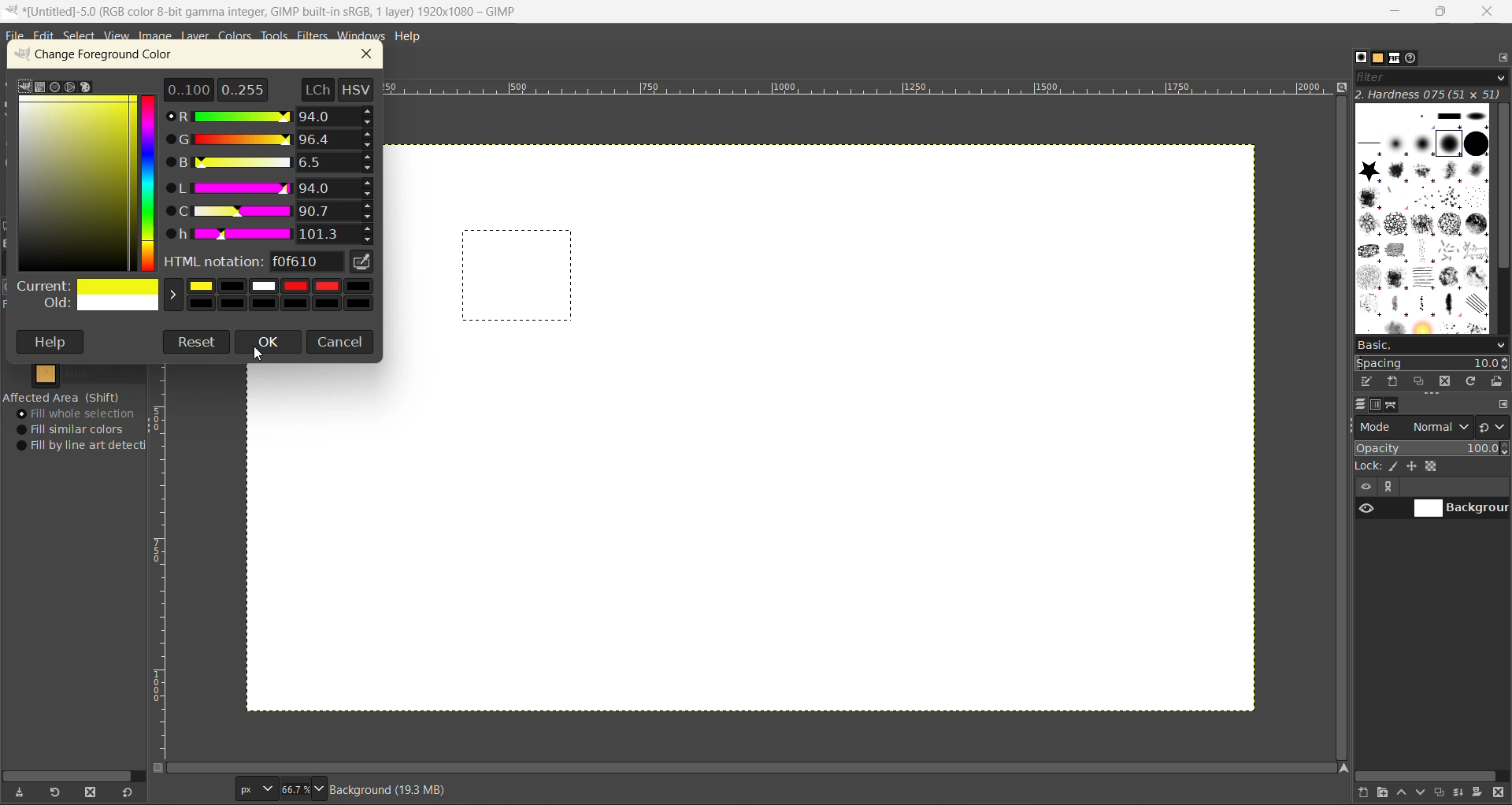 The height and width of the screenshot is (805, 1512). What do you see at coordinates (1385, 793) in the screenshot?
I see `create a new layer group` at bounding box center [1385, 793].